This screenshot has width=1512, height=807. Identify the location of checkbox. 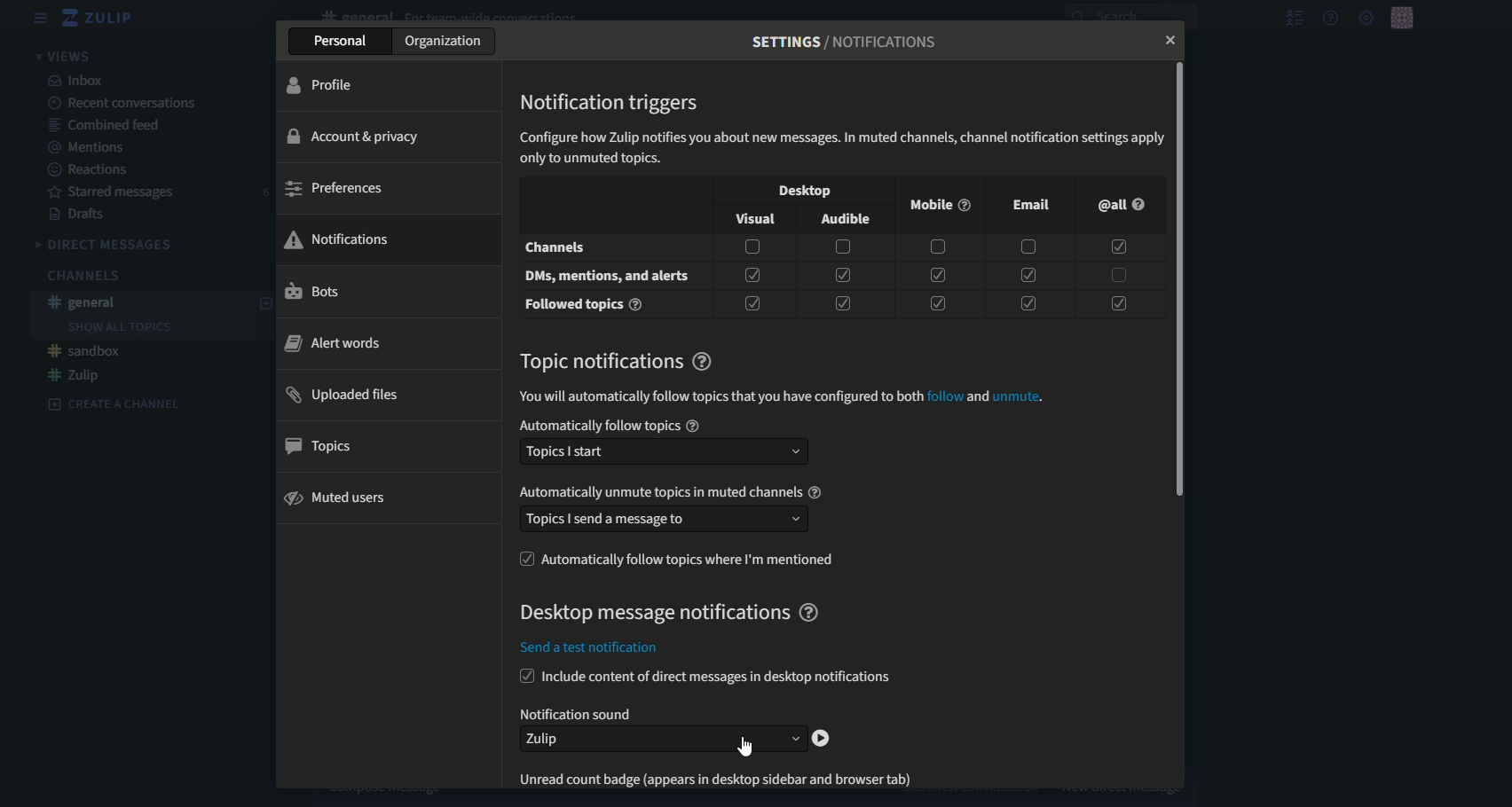
(752, 304).